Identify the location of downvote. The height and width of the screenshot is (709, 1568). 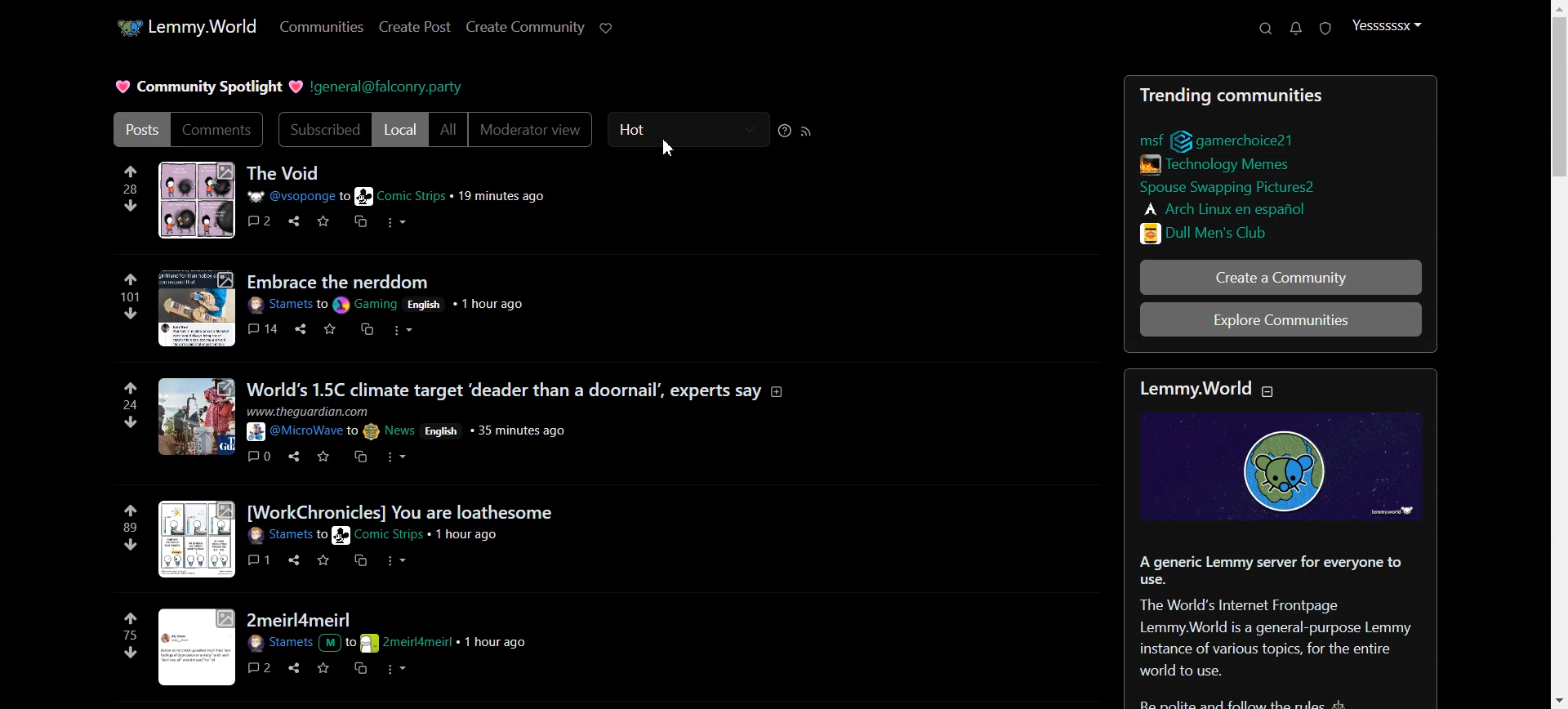
(131, 421).